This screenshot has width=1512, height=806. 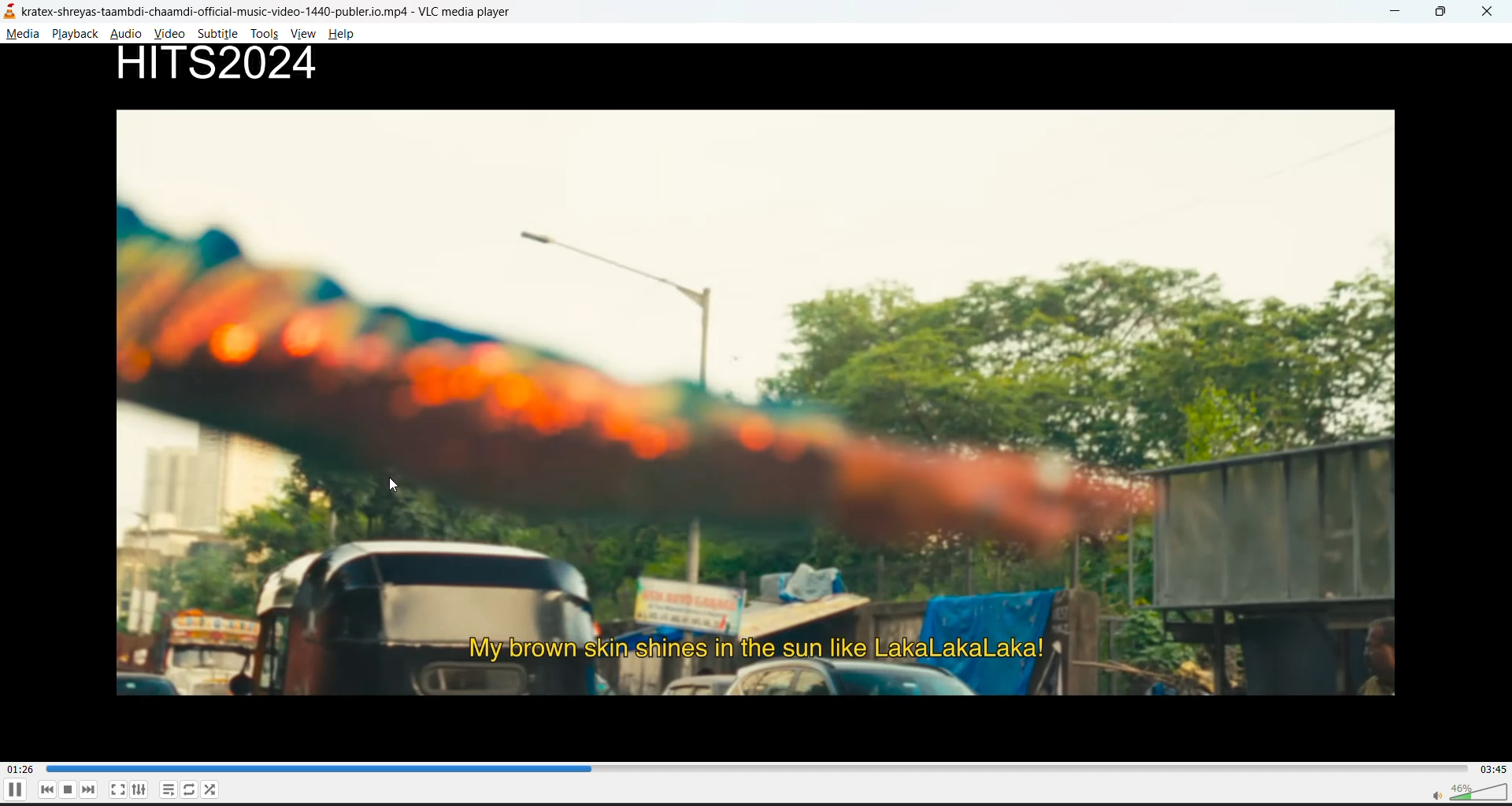 What do you see at coordinates (94, 789) in the screenshot?
I see `next` at bounding box center [94, 789].